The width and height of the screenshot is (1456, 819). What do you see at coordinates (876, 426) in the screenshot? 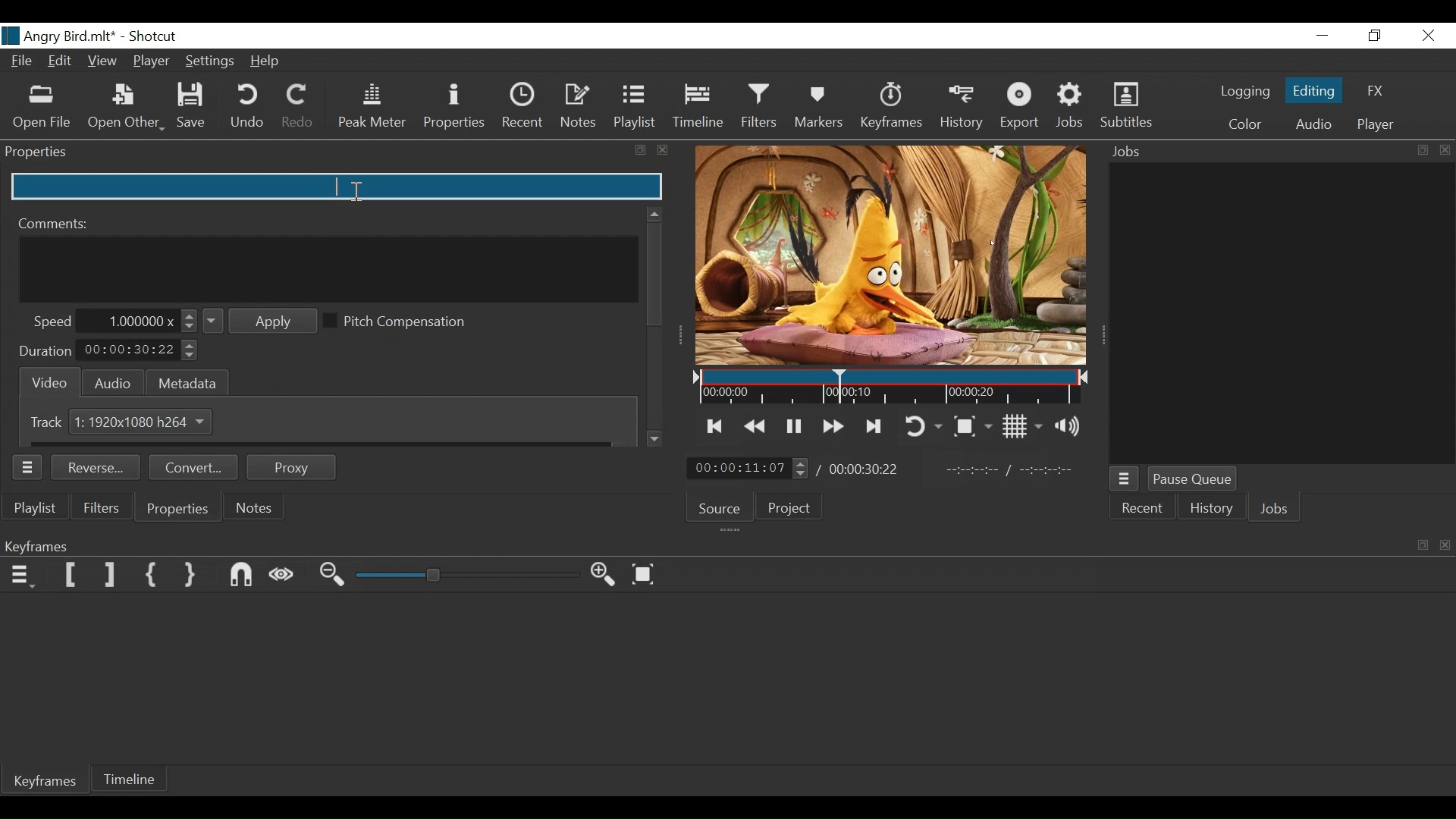
I see `Skip to the next point` at bounding box center [876, 426].